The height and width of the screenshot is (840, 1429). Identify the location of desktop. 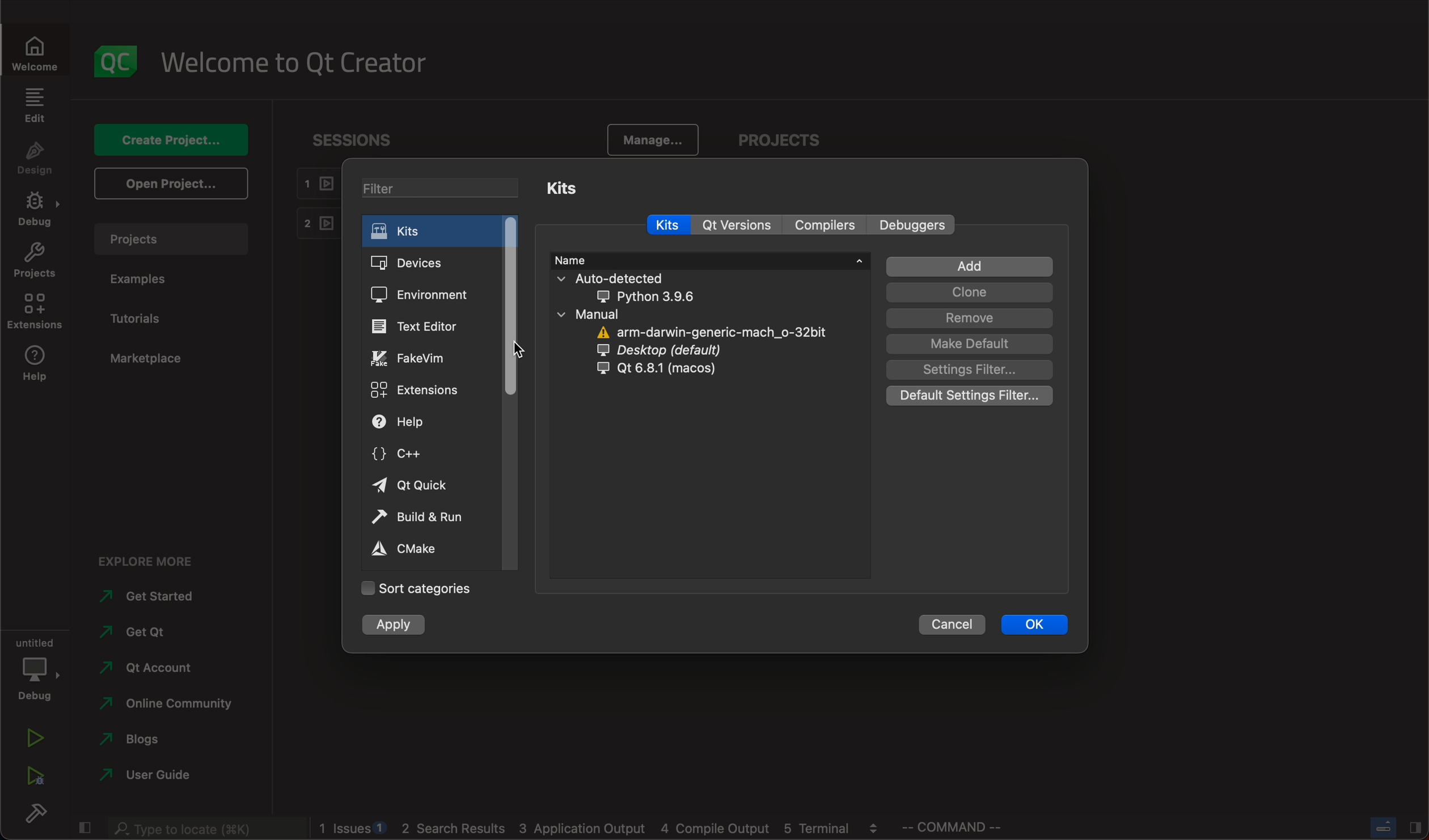
(677, 349).